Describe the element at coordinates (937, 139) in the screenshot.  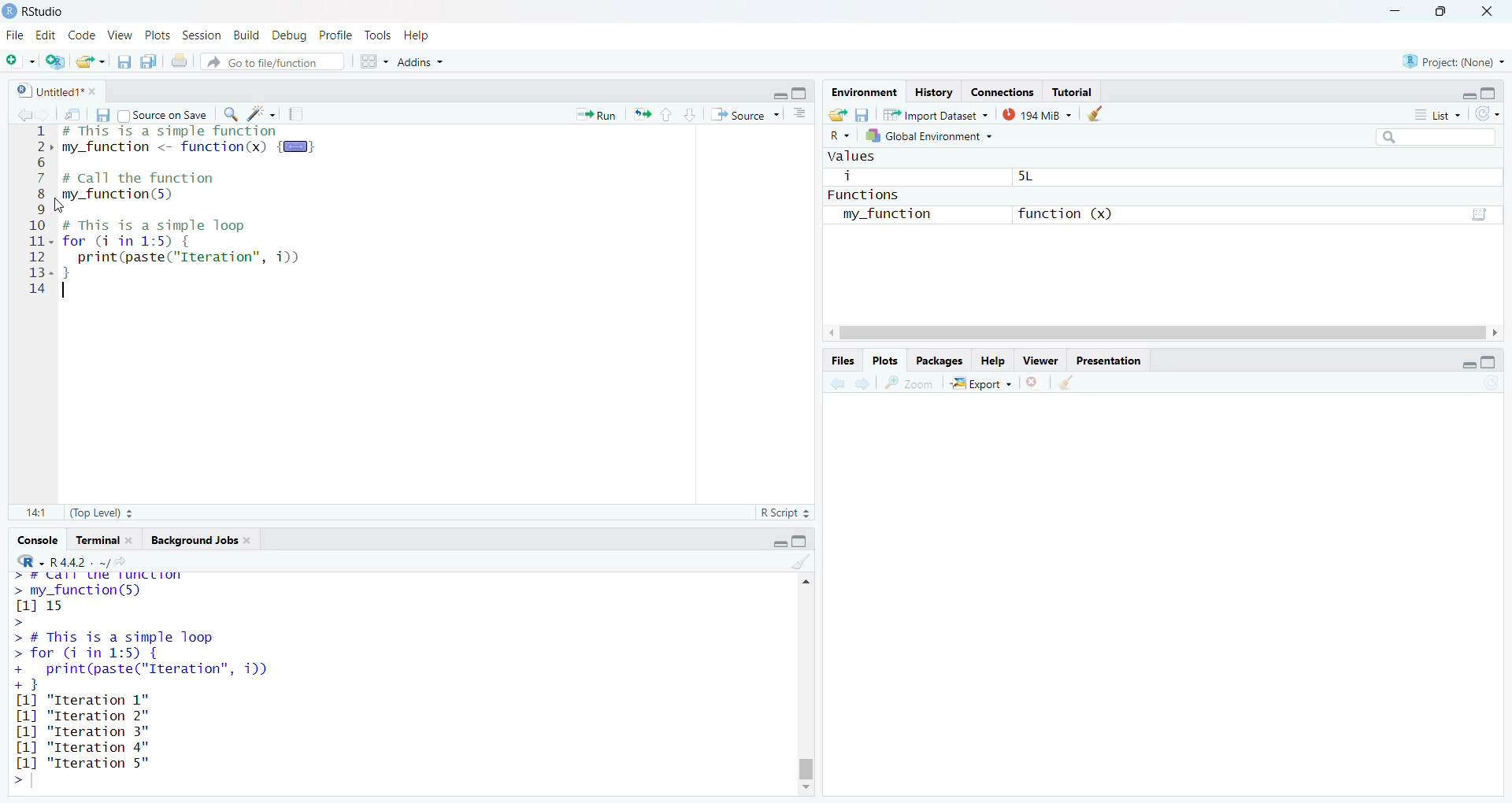
I see `global environment` at that location.